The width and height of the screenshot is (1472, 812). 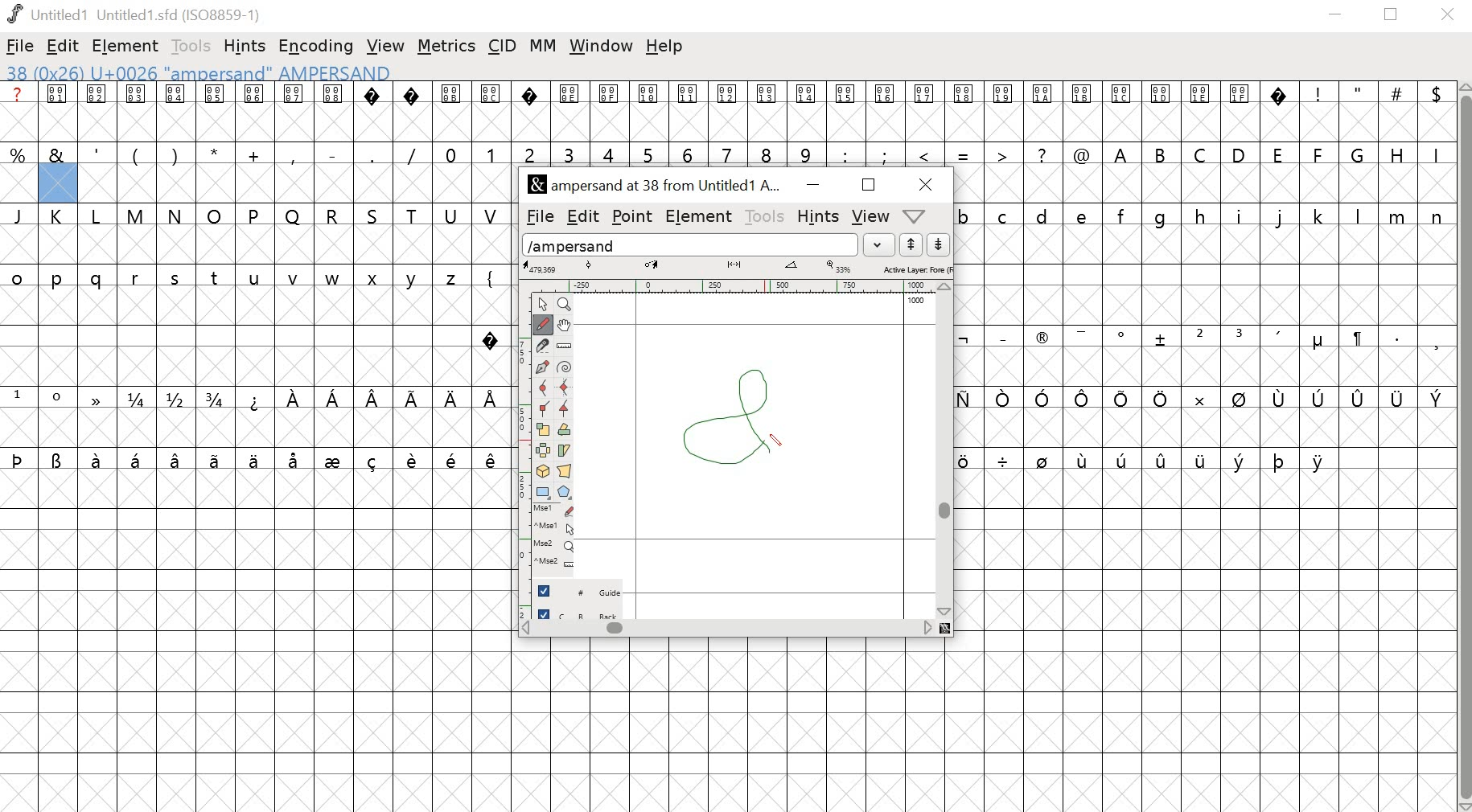 I want to click on 1, so click(x=19, y=396).